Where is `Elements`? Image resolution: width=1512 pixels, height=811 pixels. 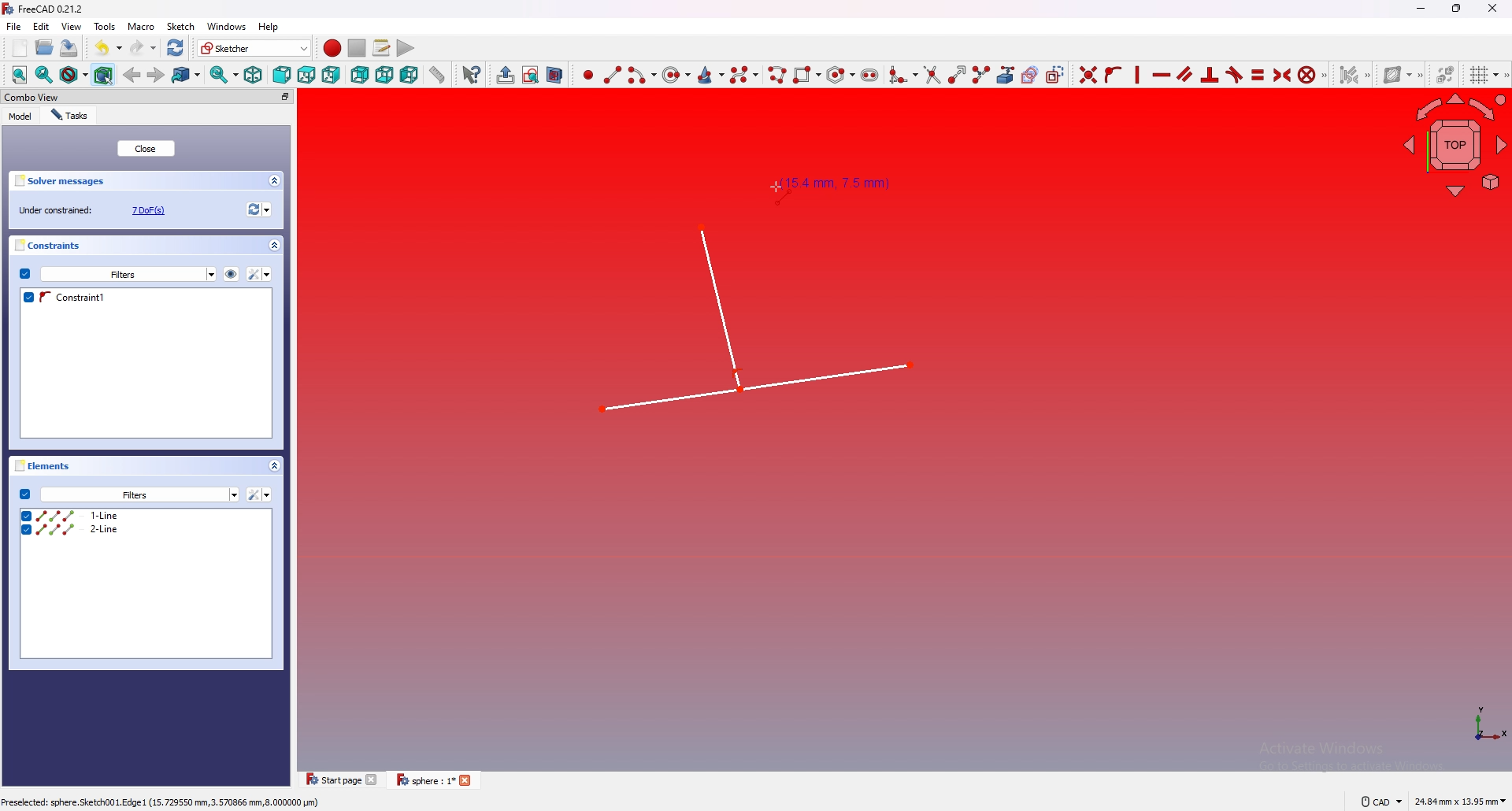
Elements is located at coordinates (151, 468).